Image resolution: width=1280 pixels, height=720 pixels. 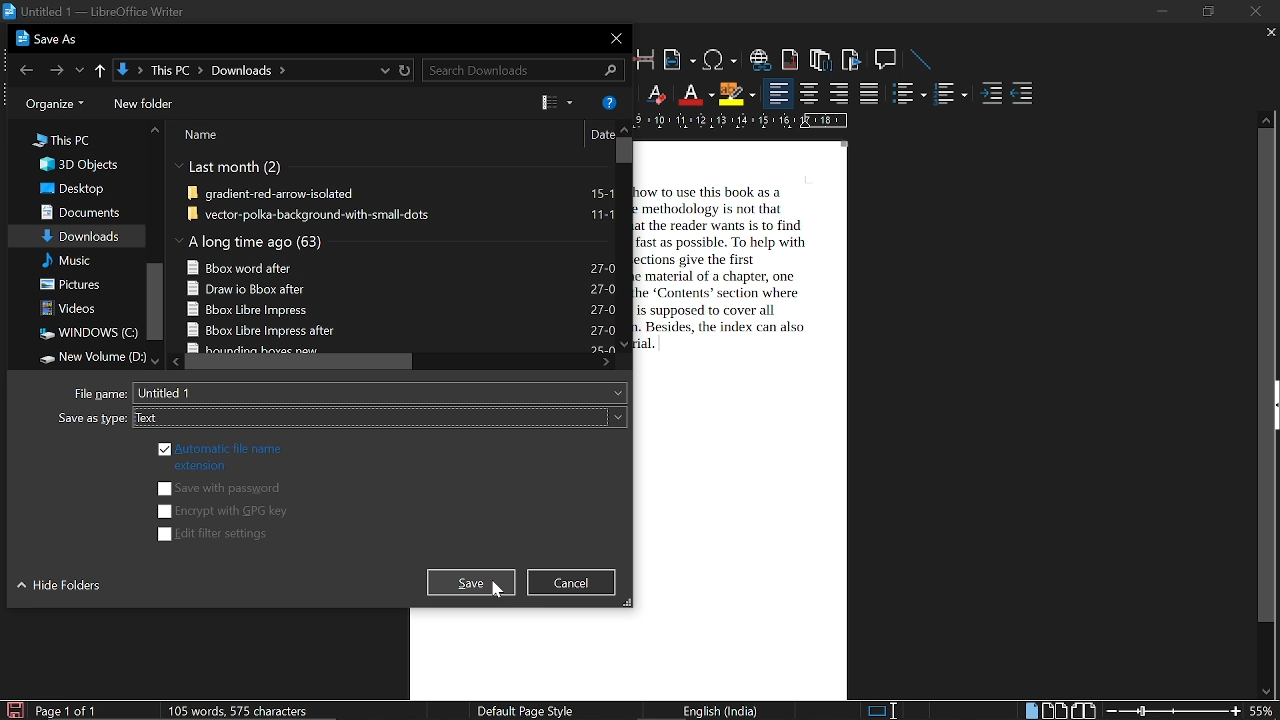 I want to click on close current tab, so click(x=1266, y=33).